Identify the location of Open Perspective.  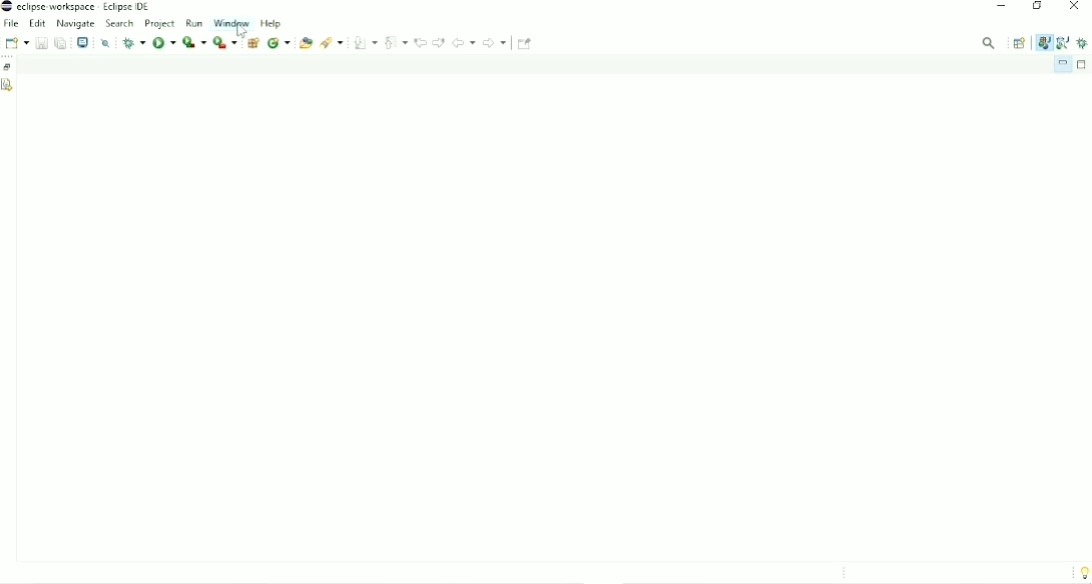
(1020, 43).